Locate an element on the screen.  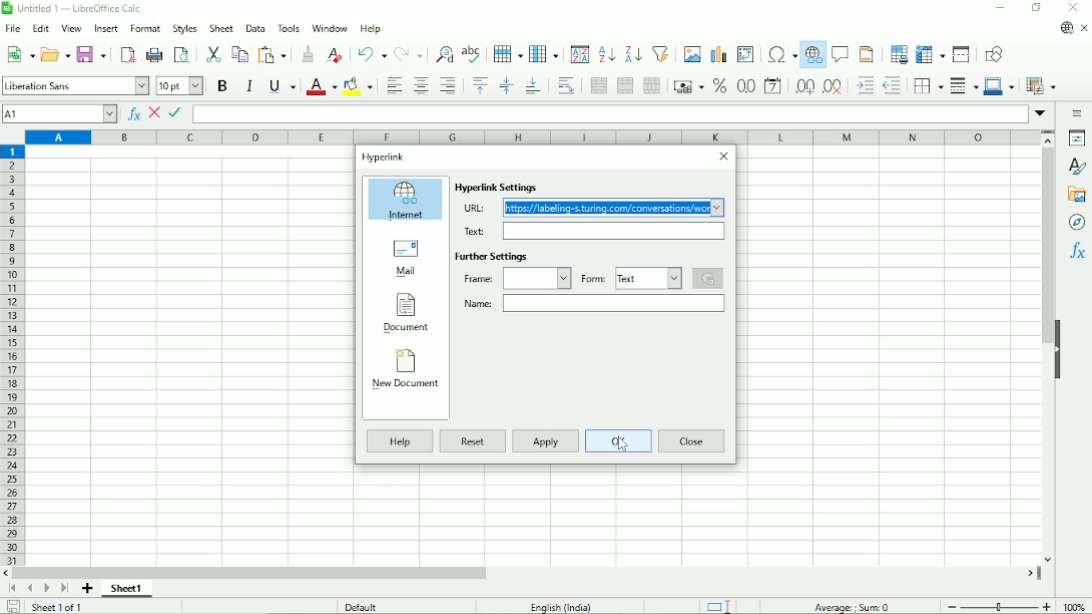
Bold is located at coordinates (222, 85).